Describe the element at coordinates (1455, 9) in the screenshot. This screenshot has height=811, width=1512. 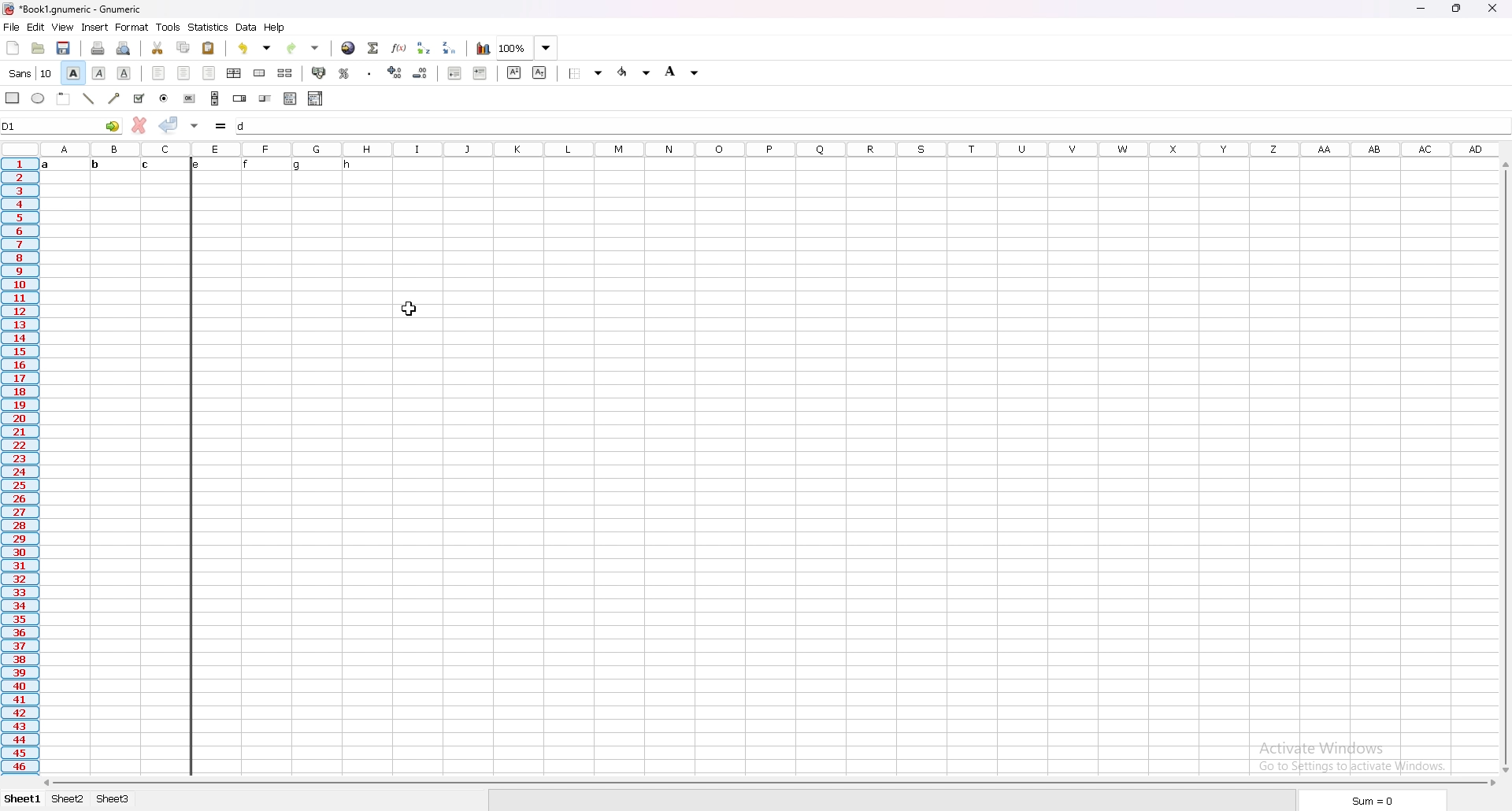
I see `resize` at that location.